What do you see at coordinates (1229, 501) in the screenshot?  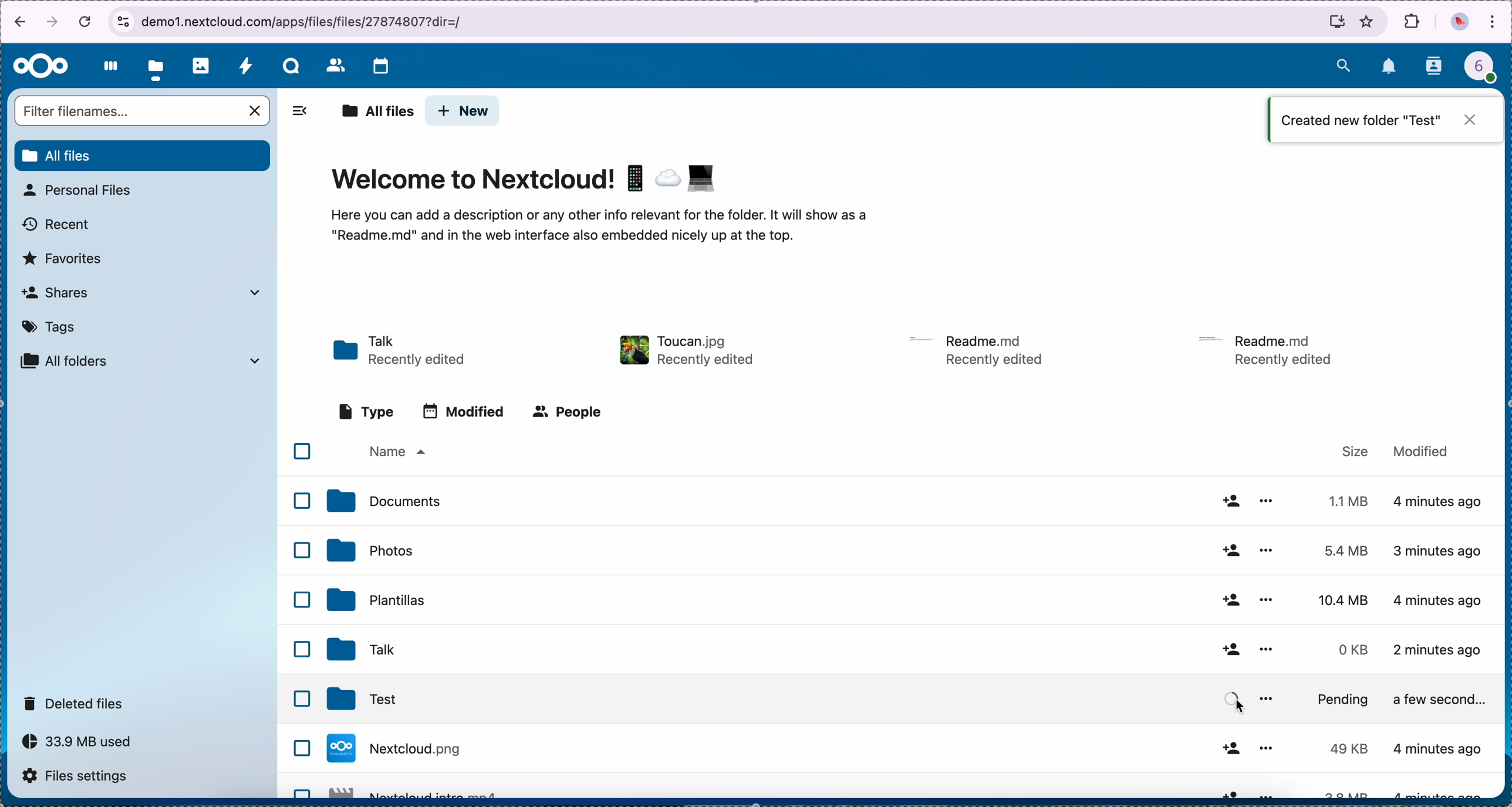 I see `share` at bounding box center [1229, 501].